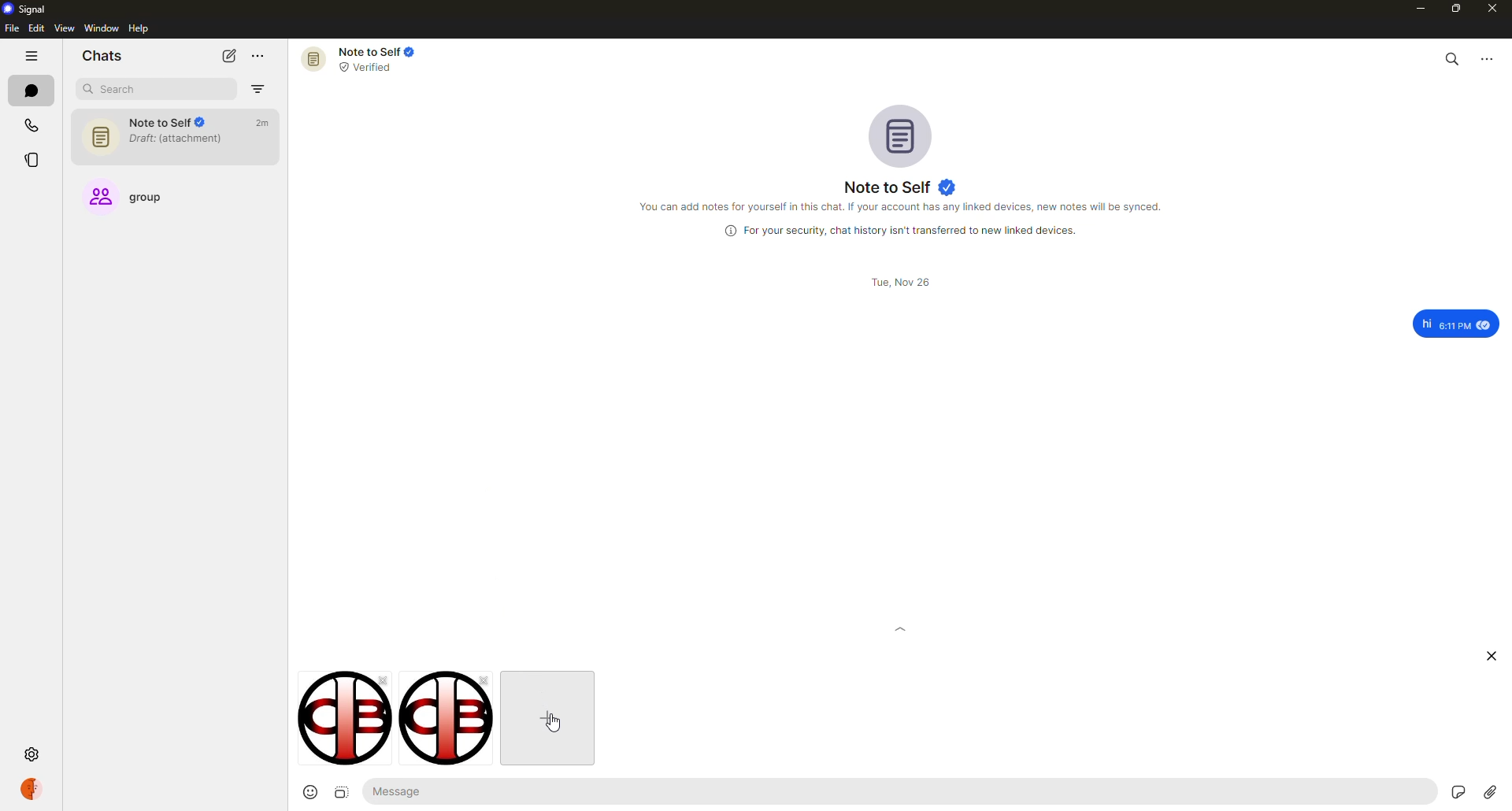  Describe the element at coordinates (901, 648) in the screenshot. I see `expand` at that location.